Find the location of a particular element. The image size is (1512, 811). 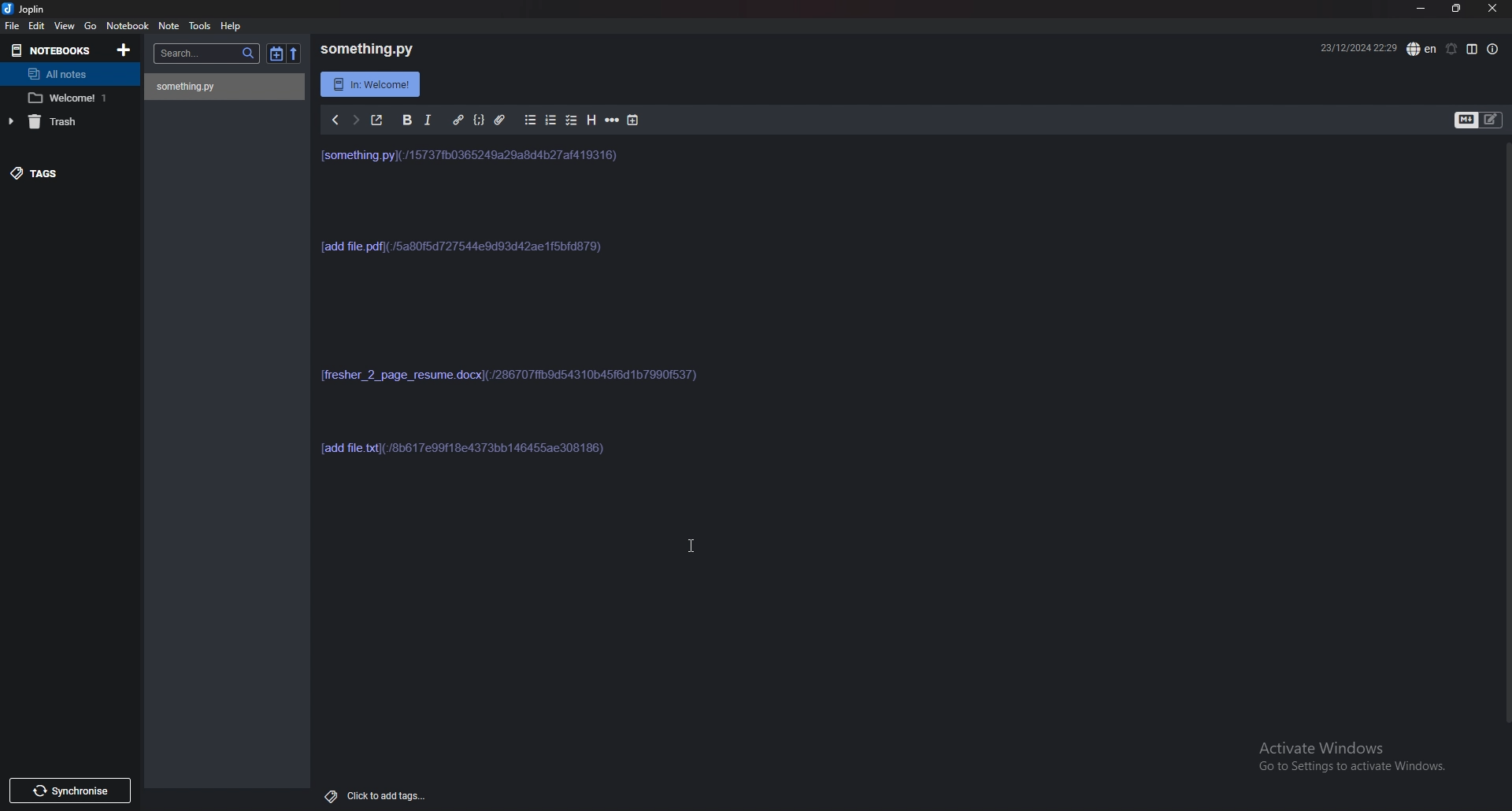

Minimize is located at coordinates (1422, 9).